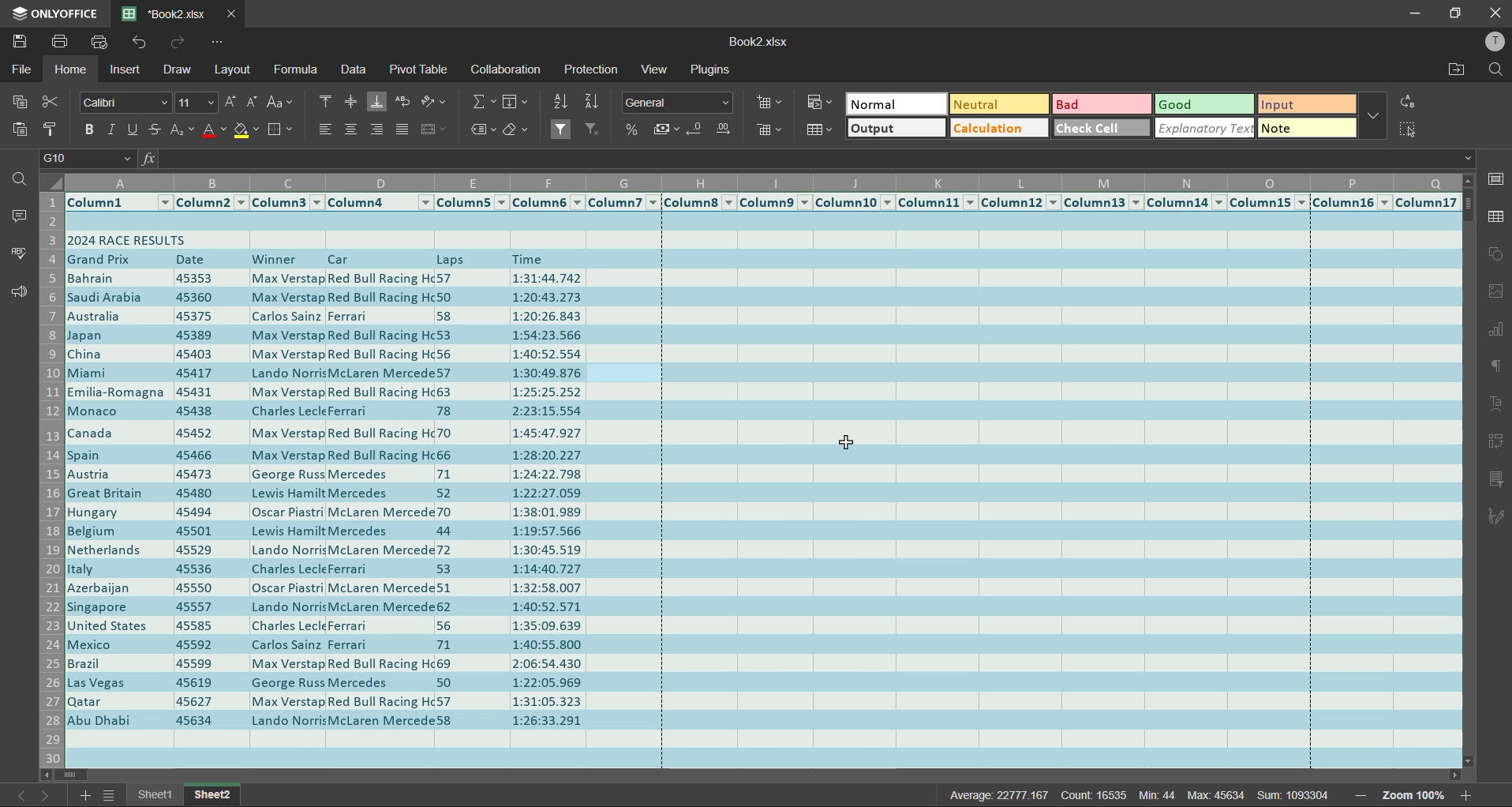  I want to click on output, so click(896, 129).